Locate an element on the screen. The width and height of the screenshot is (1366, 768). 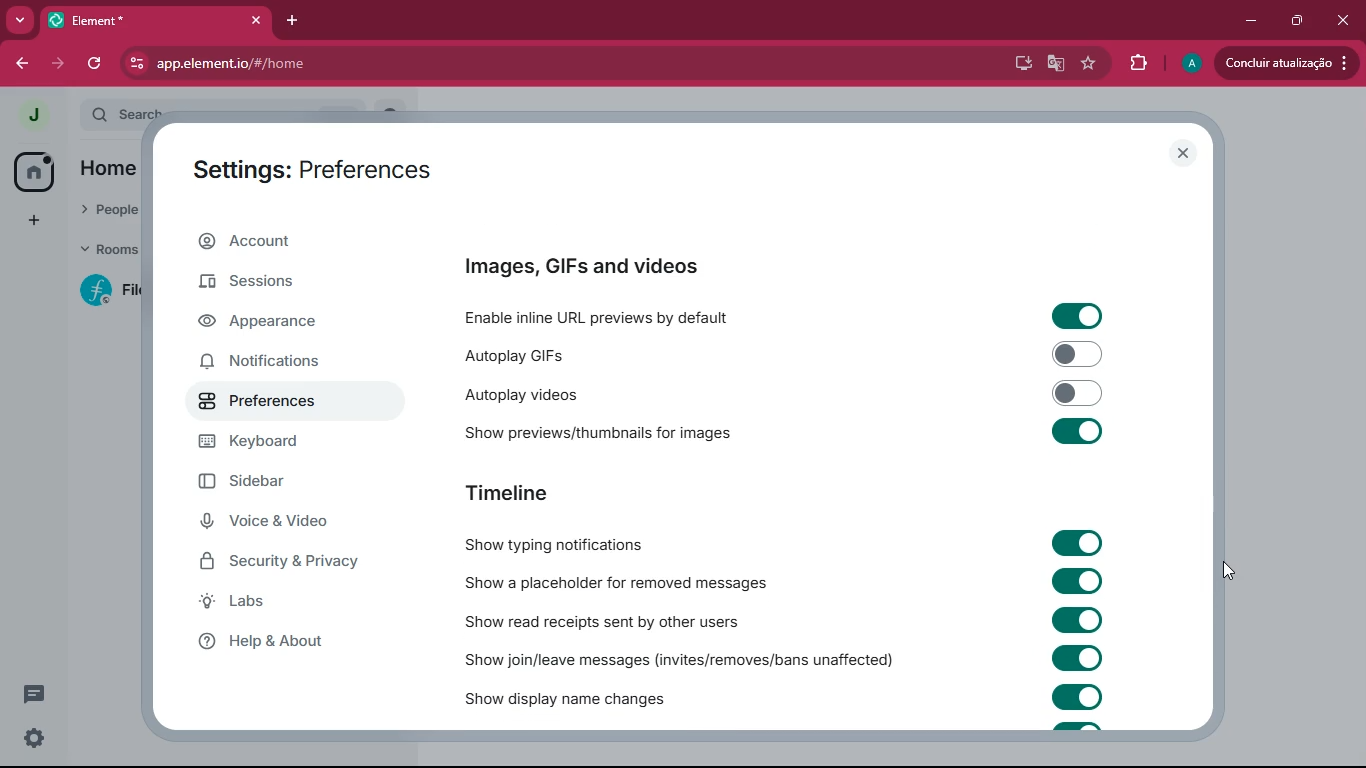
notifications is located at coordinates (280, 363).